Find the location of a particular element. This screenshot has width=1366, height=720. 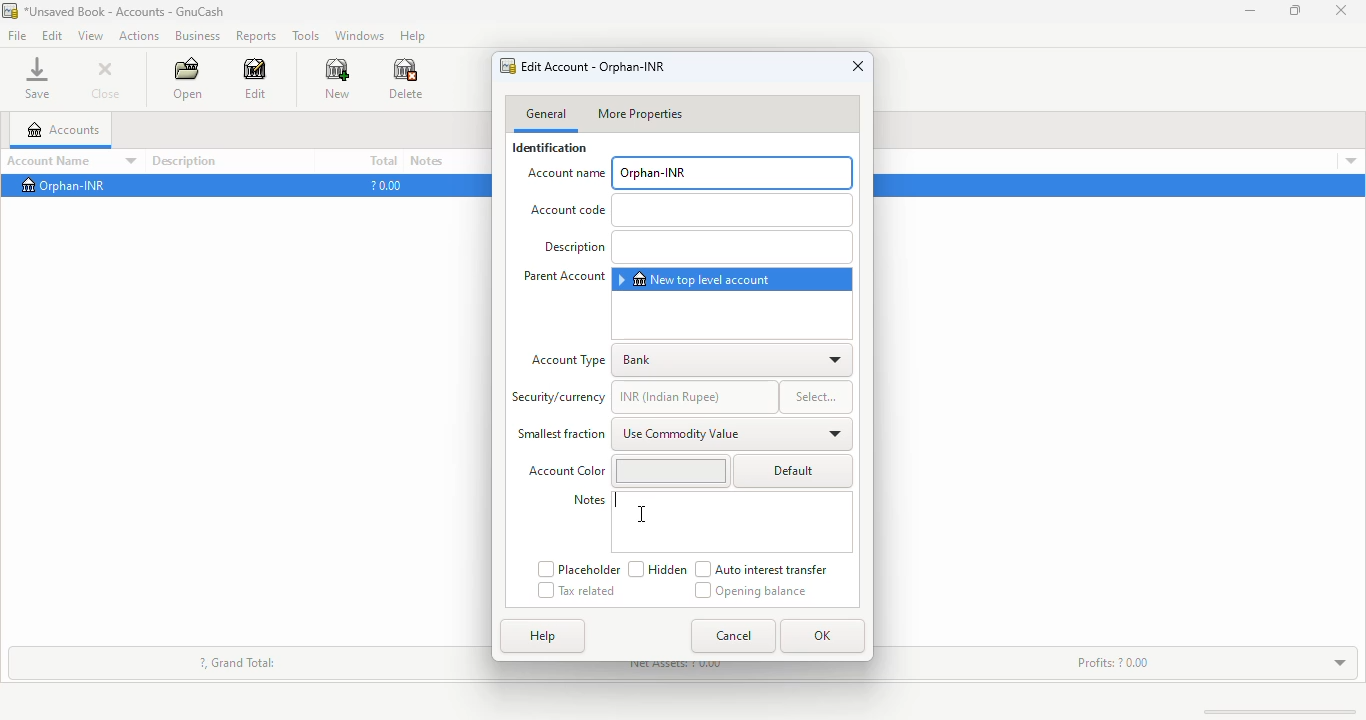

description is located at coordinates (184, 162).